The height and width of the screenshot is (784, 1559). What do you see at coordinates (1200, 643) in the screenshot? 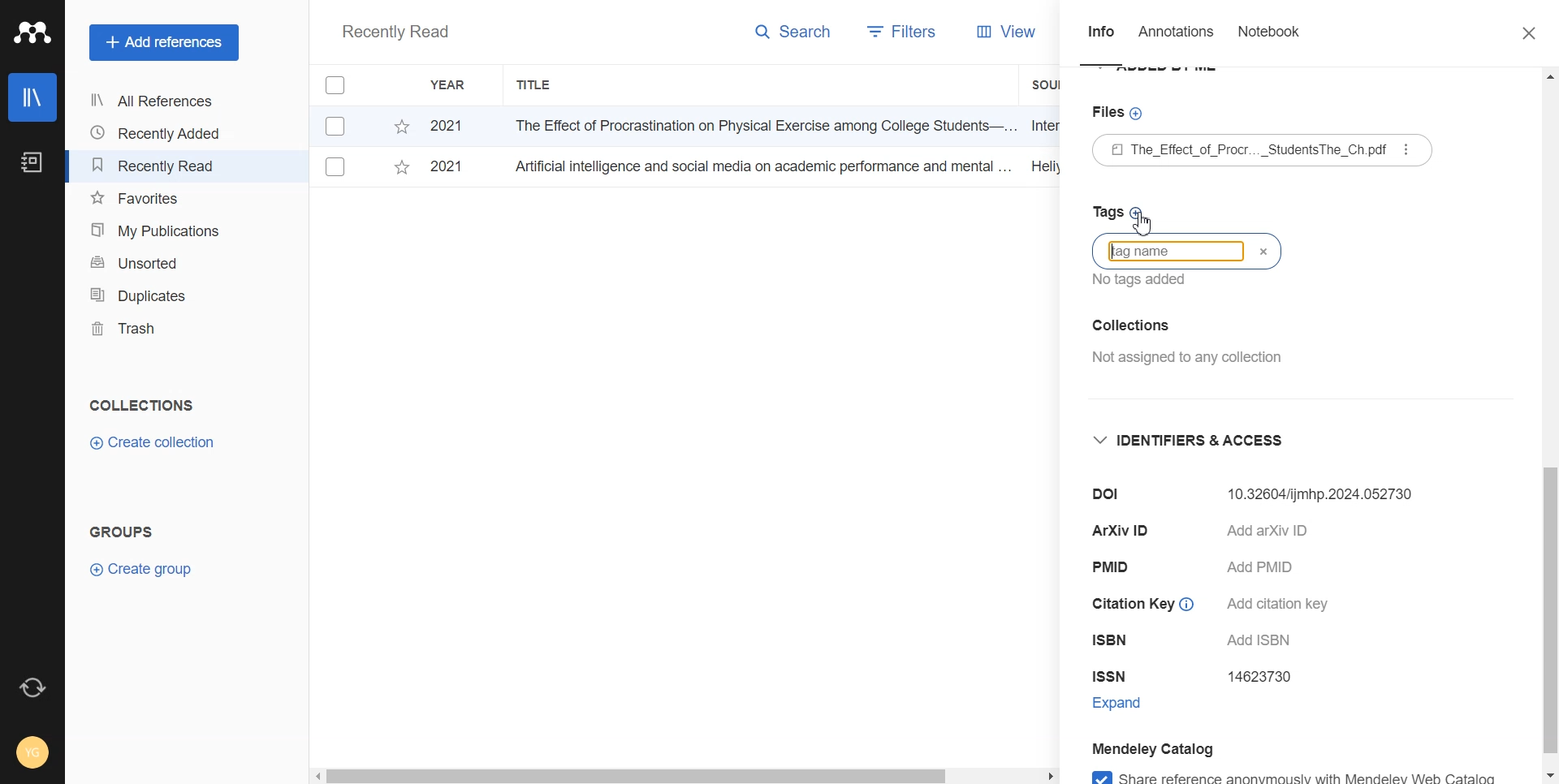
I see `ISBN Add ISBN` at bounding box center [1200, 643].